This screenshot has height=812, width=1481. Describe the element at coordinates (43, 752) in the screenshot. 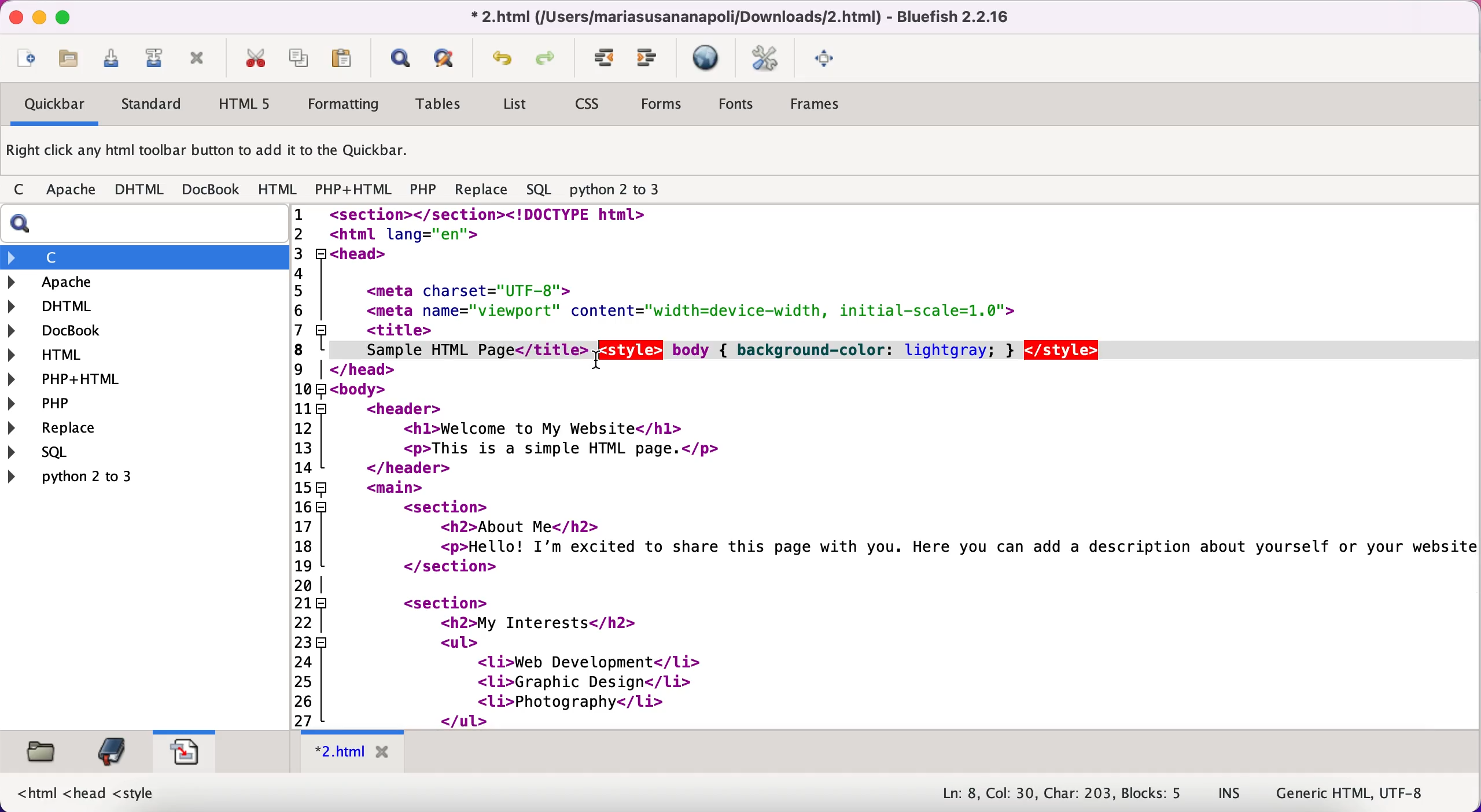

I see `filebrowser` at that location.